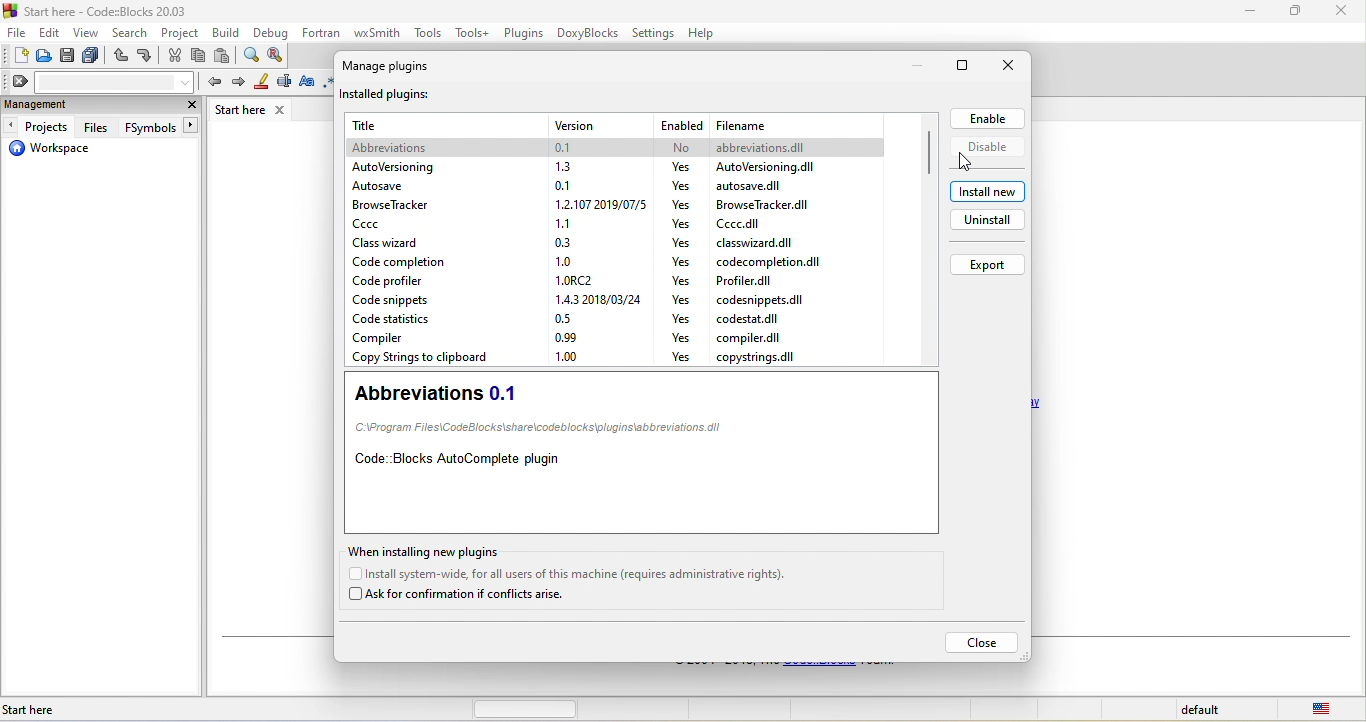  I want to click on file, so click(756, 242).